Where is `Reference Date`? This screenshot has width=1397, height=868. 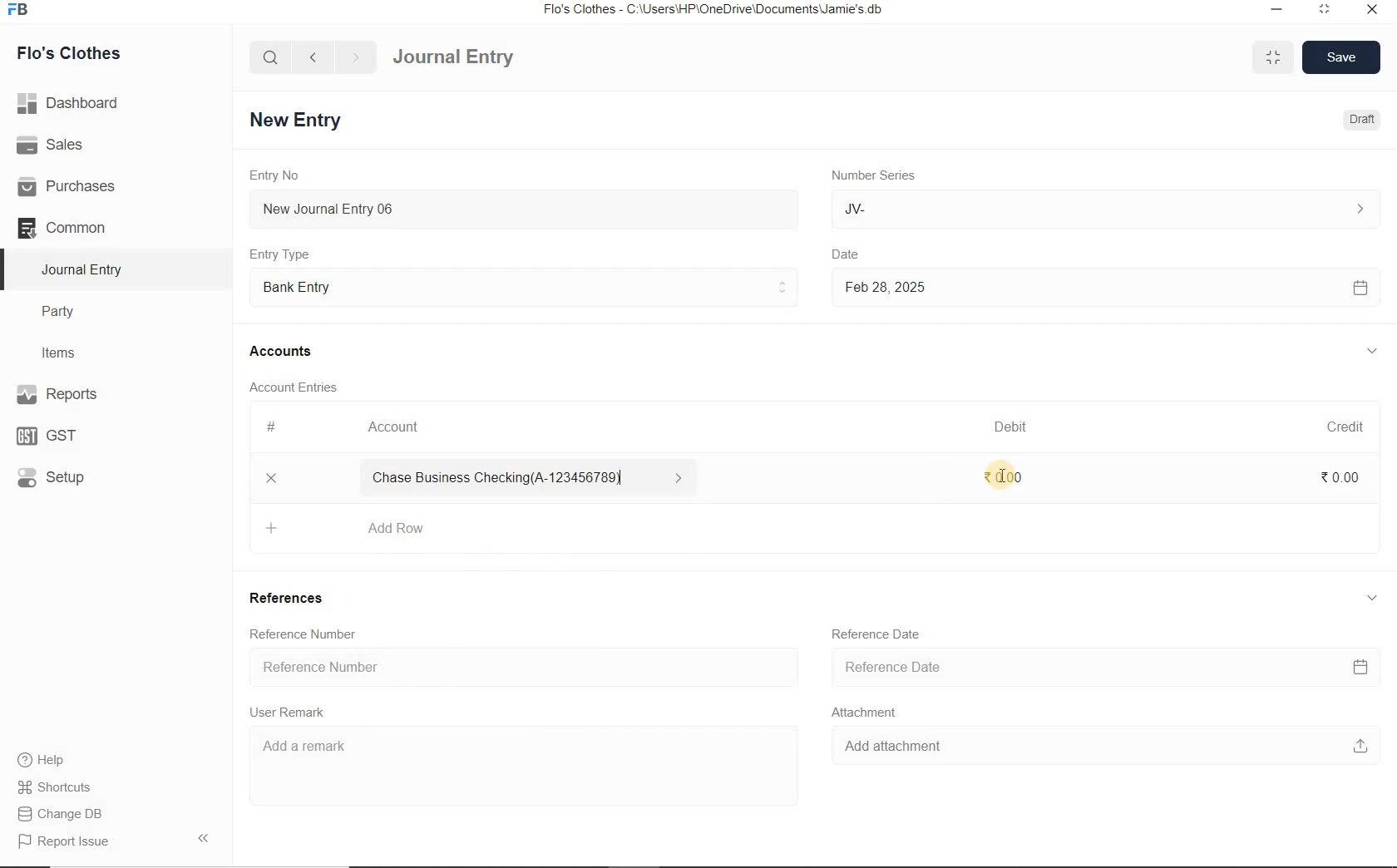
Reference Date is located at coordinates (879, 634).